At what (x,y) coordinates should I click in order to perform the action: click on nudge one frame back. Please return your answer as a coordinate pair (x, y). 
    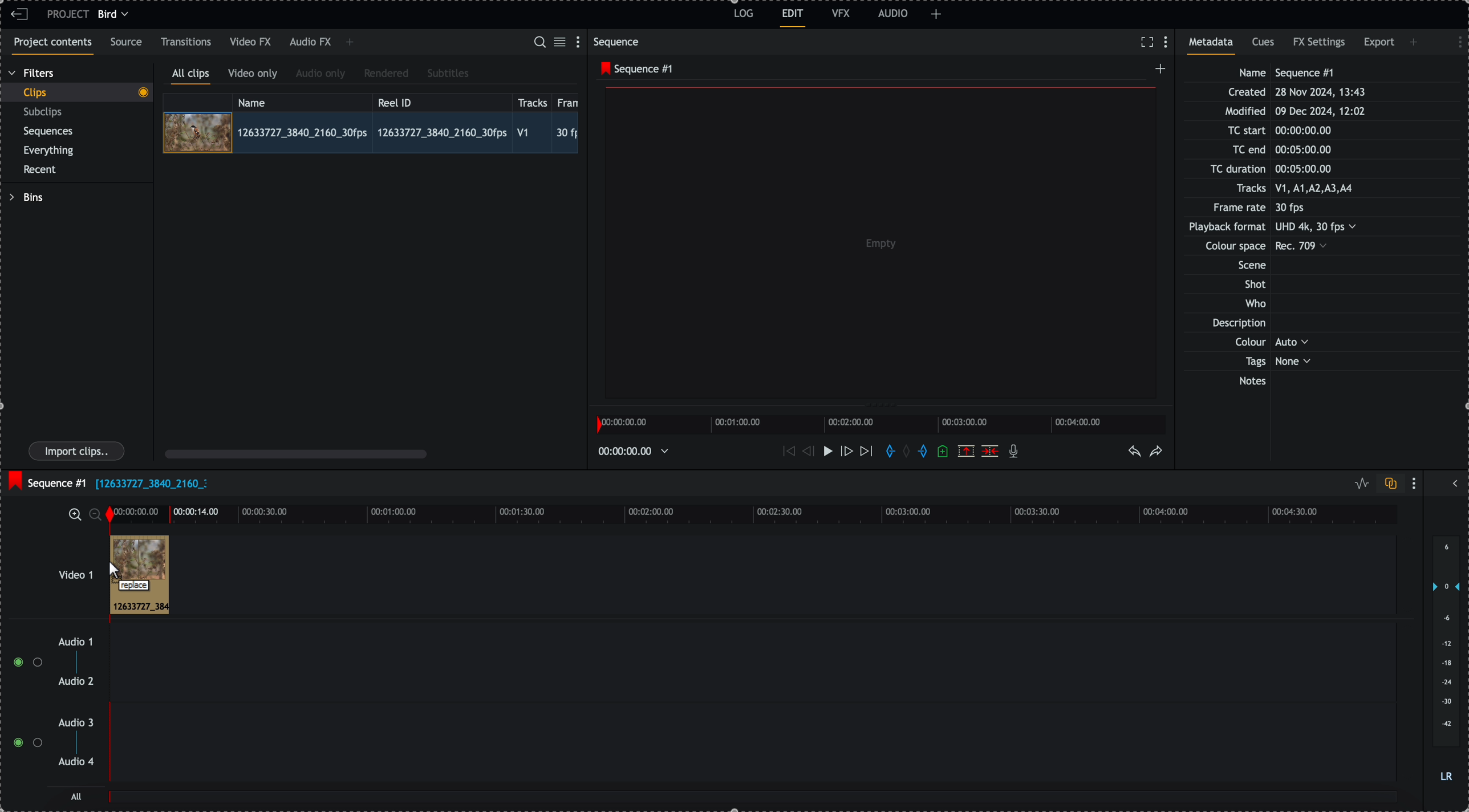
    Looking at the image, I should click on (805, 450).